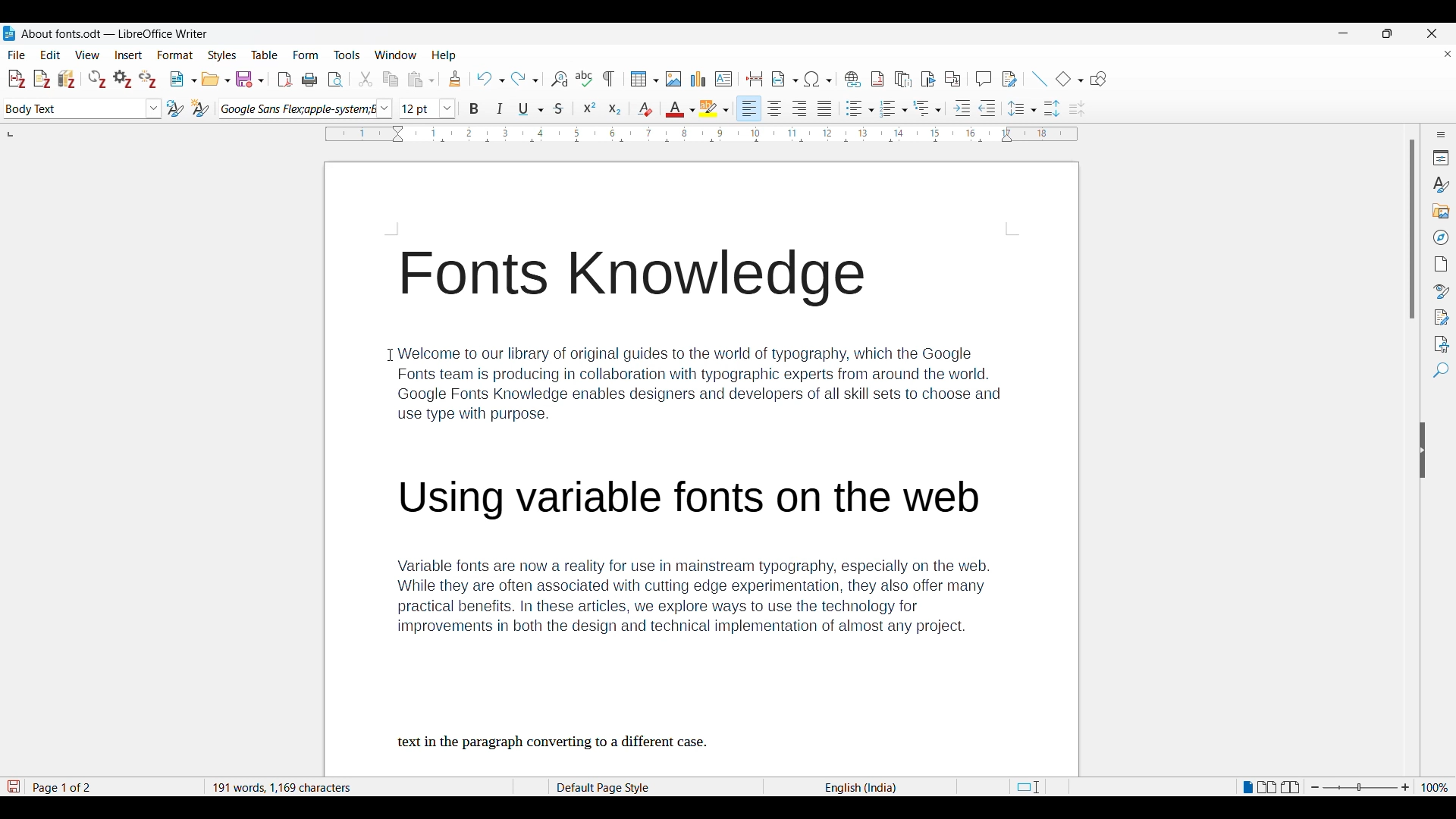  Describe the element at coordinates (1442, 237) in the screenshot. I see `Navigator` at that location.